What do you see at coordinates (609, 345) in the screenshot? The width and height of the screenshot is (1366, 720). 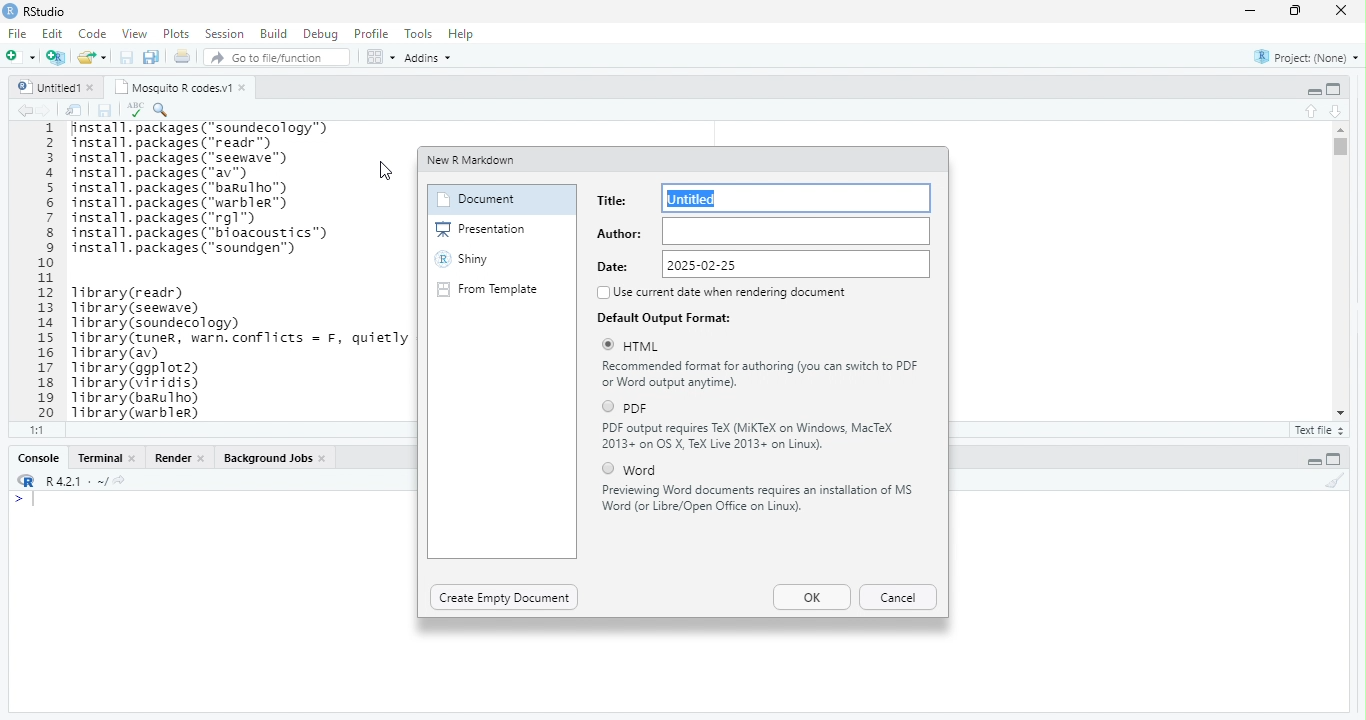 I see `Checkbox` at bounding box center [609, 345].